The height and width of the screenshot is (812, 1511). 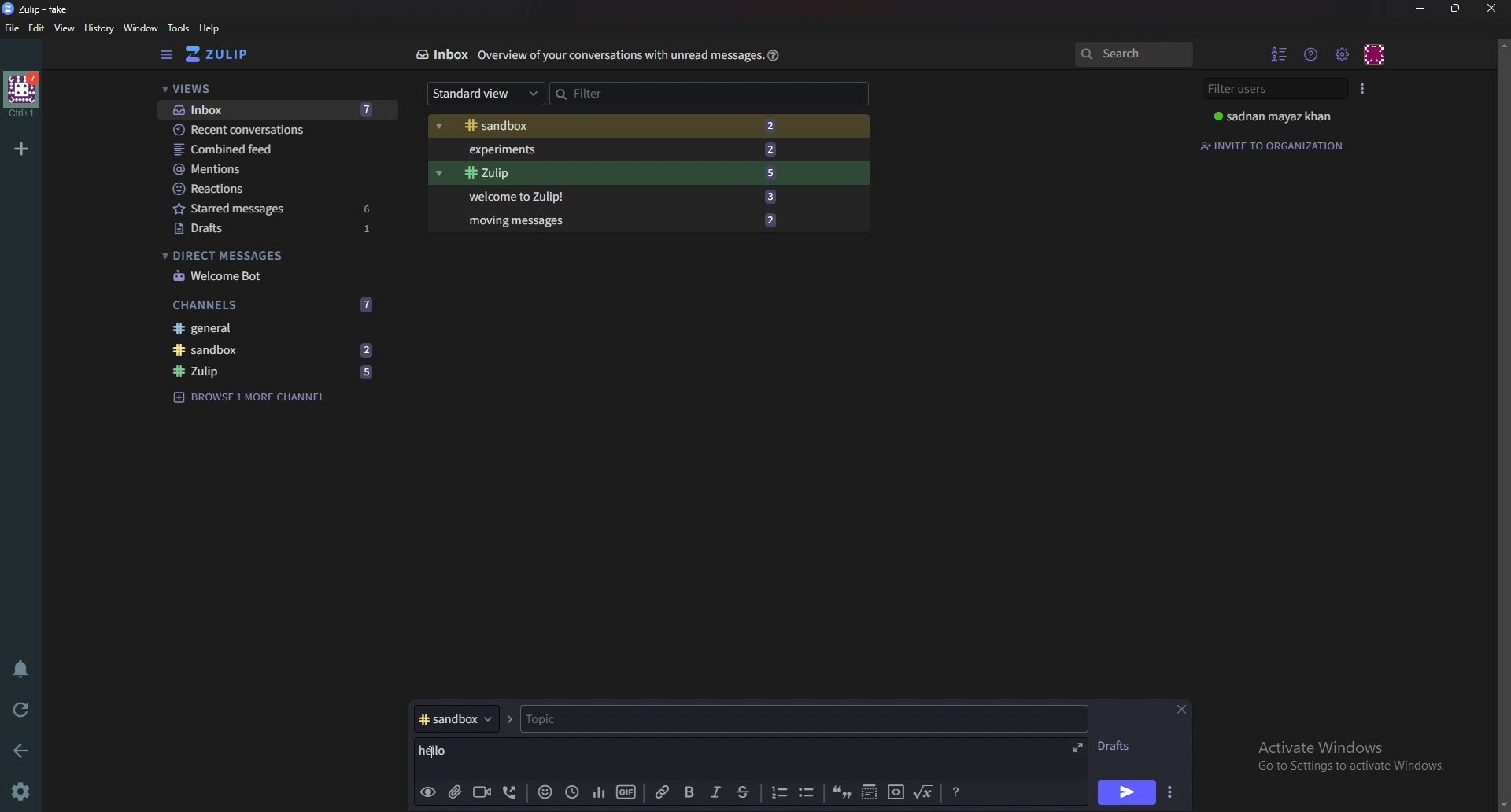 What do you see at coordinates (1502, 422) in the screenshot?
I see `scroll bar` at bounding box center [1502, 422].